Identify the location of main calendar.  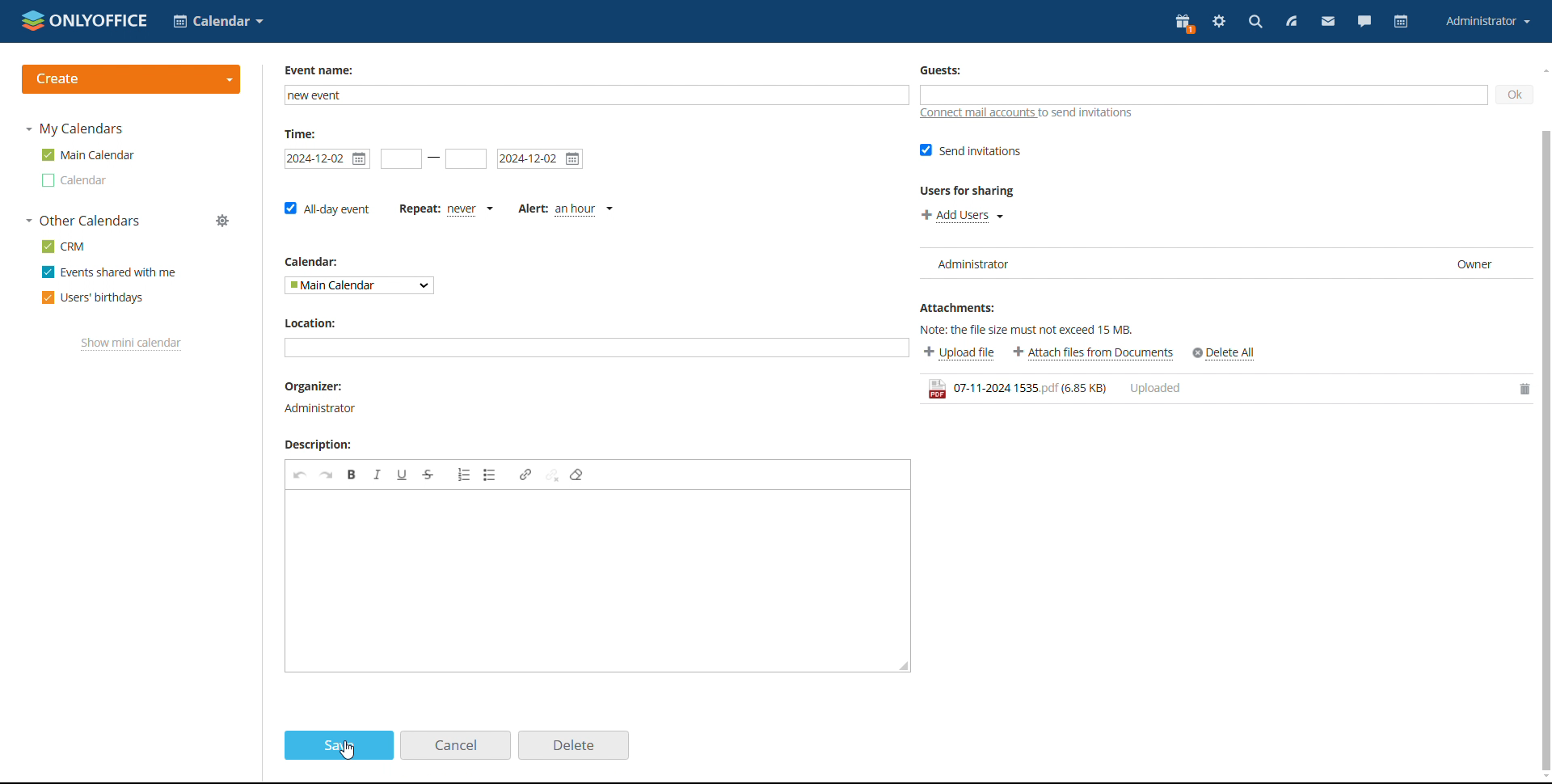
(88, 155).